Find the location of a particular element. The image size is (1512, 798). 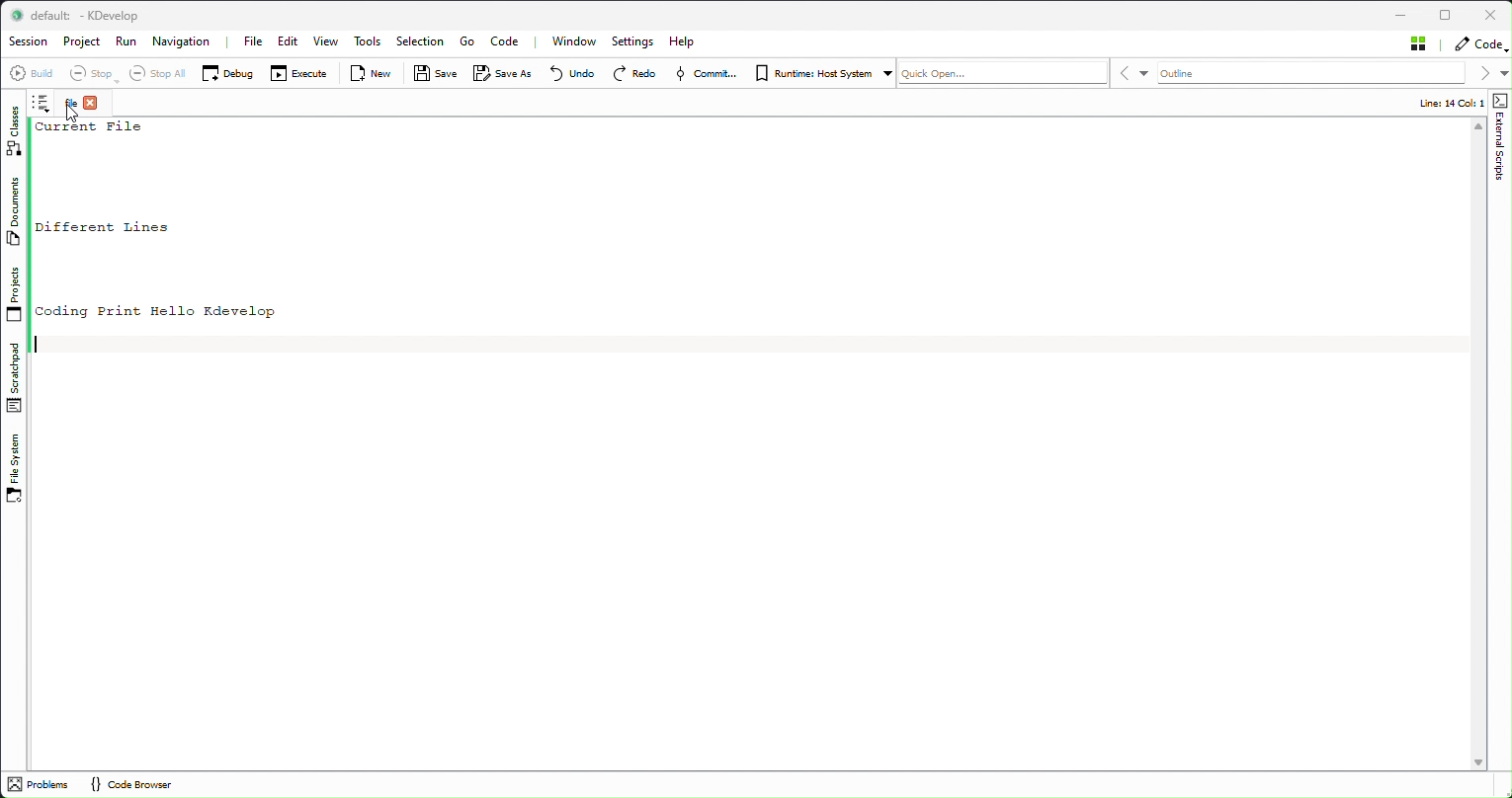

Session is located at coordinates (30, 42).